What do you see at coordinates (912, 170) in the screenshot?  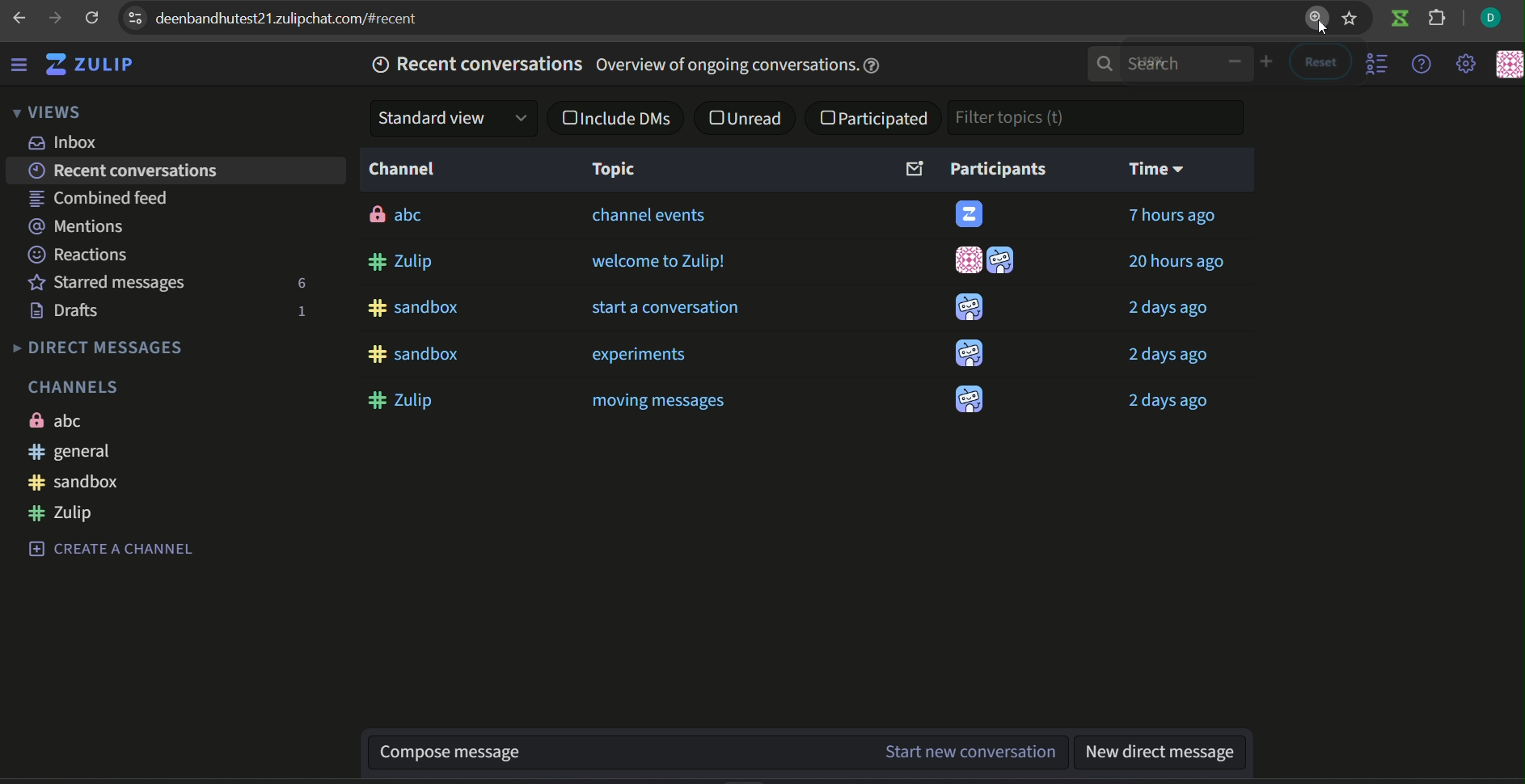 I see `email` at bounding box center [912, 170].